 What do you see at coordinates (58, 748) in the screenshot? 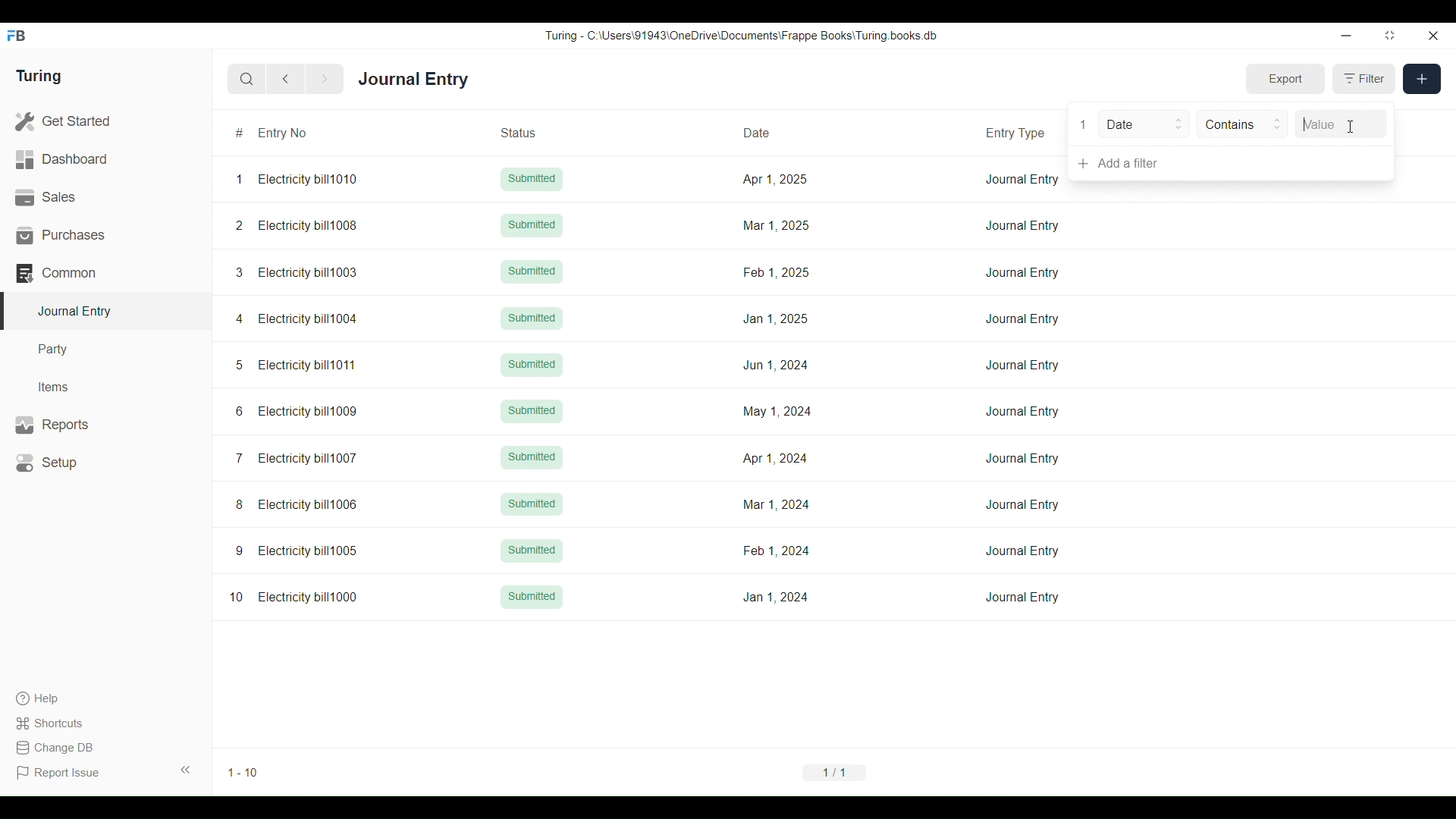
I see `Change DB` at bounding box center [58, 748].